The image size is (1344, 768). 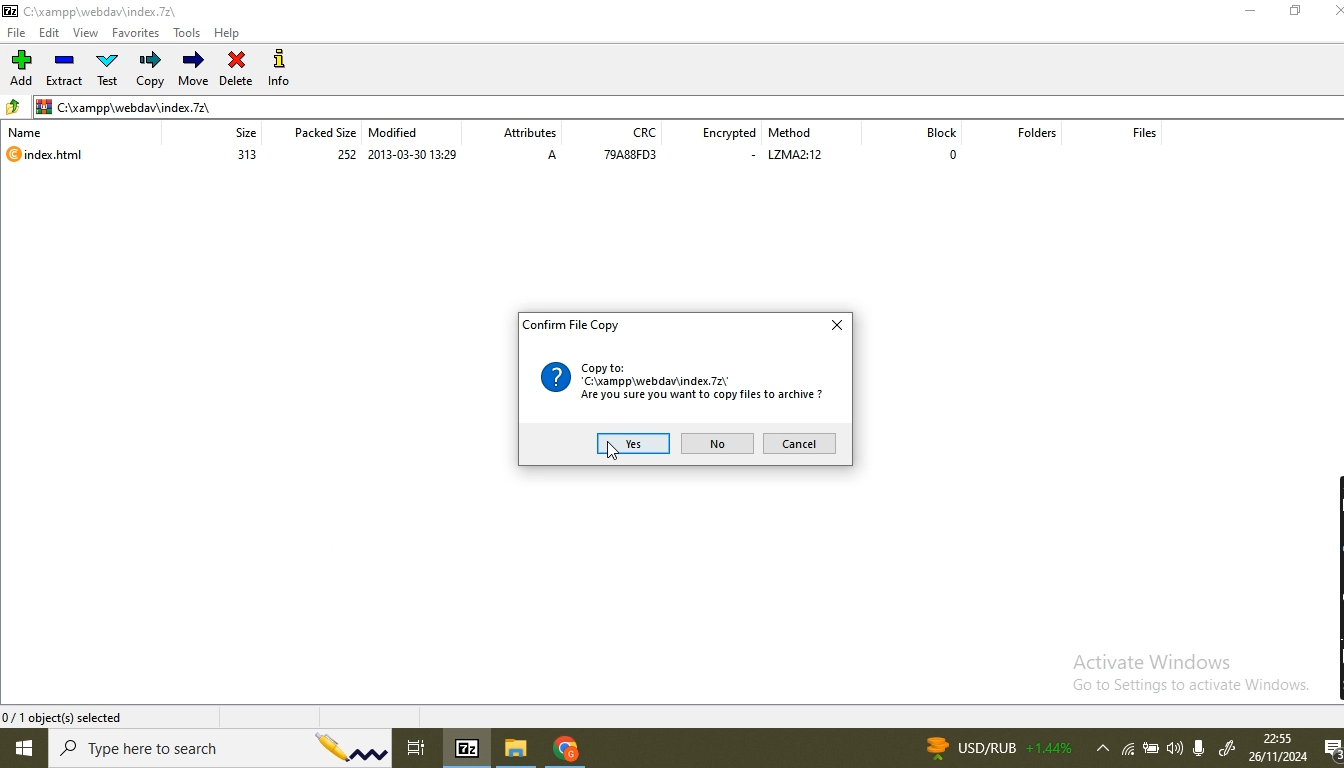 What do you see at coordinates (633, 158) in the screenshot?
I see `79A88fD3` at bounding box center [633, 158].